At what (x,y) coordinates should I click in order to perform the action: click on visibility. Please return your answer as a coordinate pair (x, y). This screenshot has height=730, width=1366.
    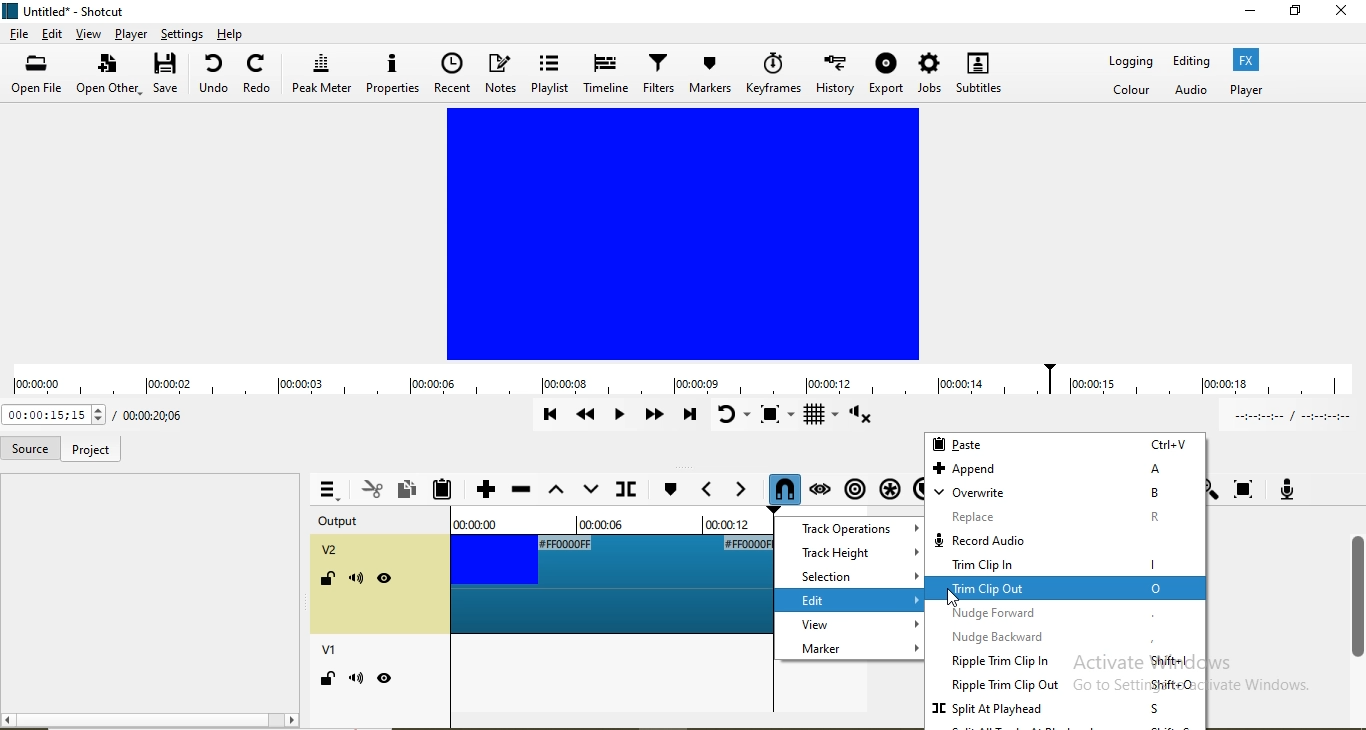
    Looking at the image, I should click on (385, 579).